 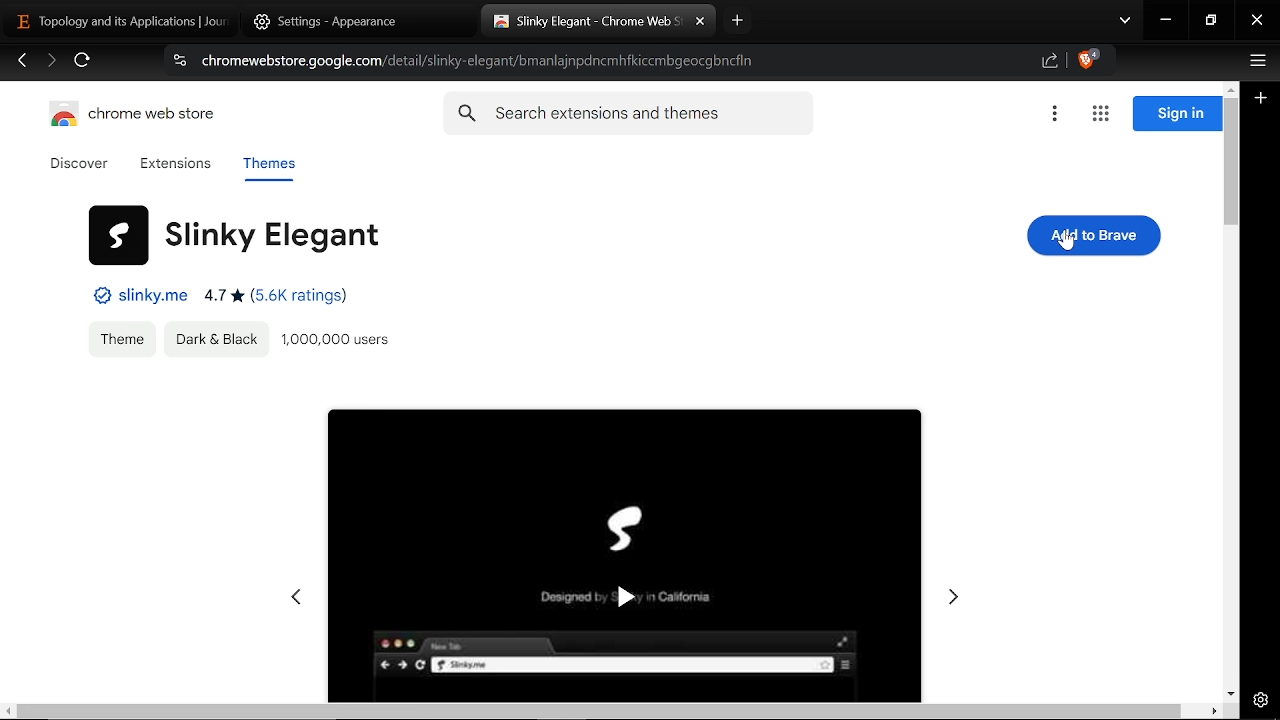 I want to click on Customize and control brave, so click(x=1255, y=63).